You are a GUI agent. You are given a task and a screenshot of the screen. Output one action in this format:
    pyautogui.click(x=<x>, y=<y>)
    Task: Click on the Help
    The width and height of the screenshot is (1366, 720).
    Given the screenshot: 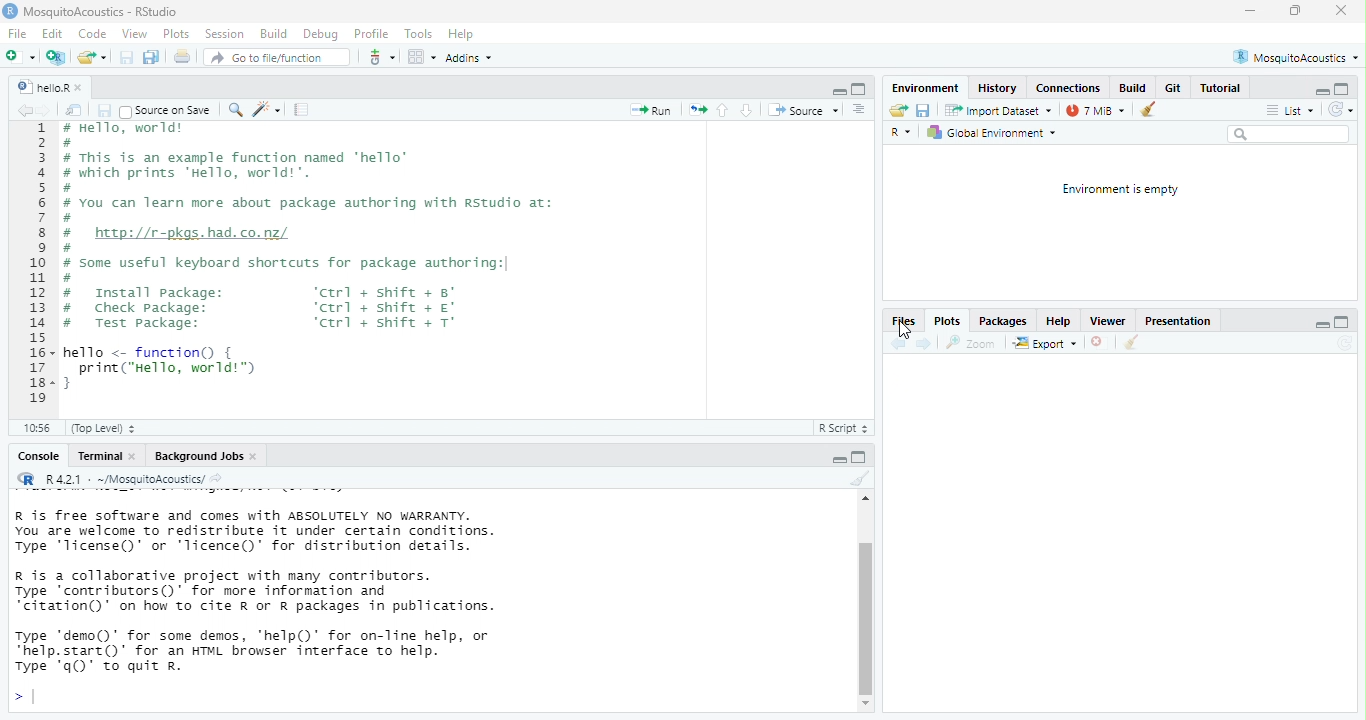 What is the action you would take?
    pyautogui.click(x=462, y=35)
    